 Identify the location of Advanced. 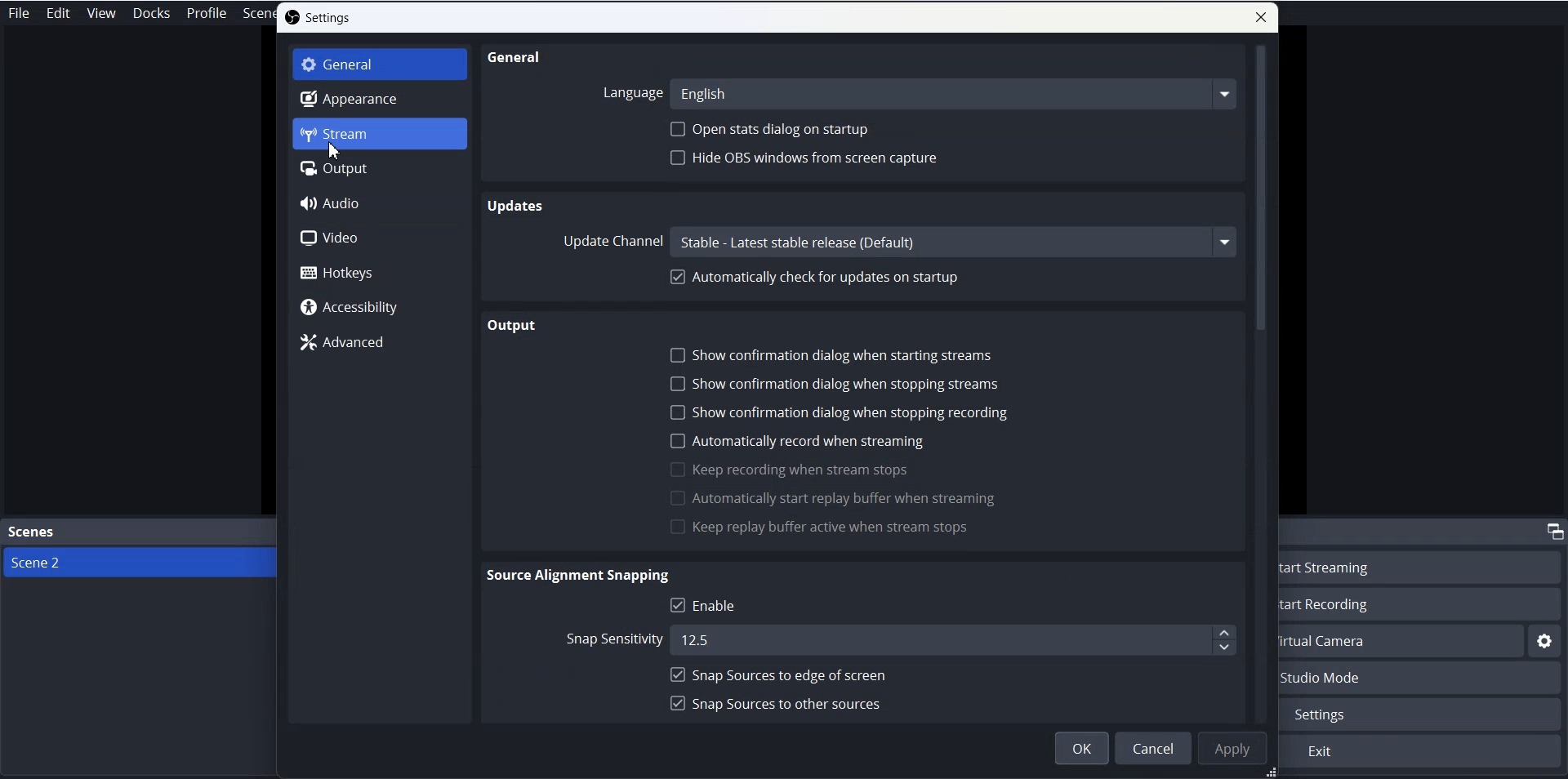
(377, 341).